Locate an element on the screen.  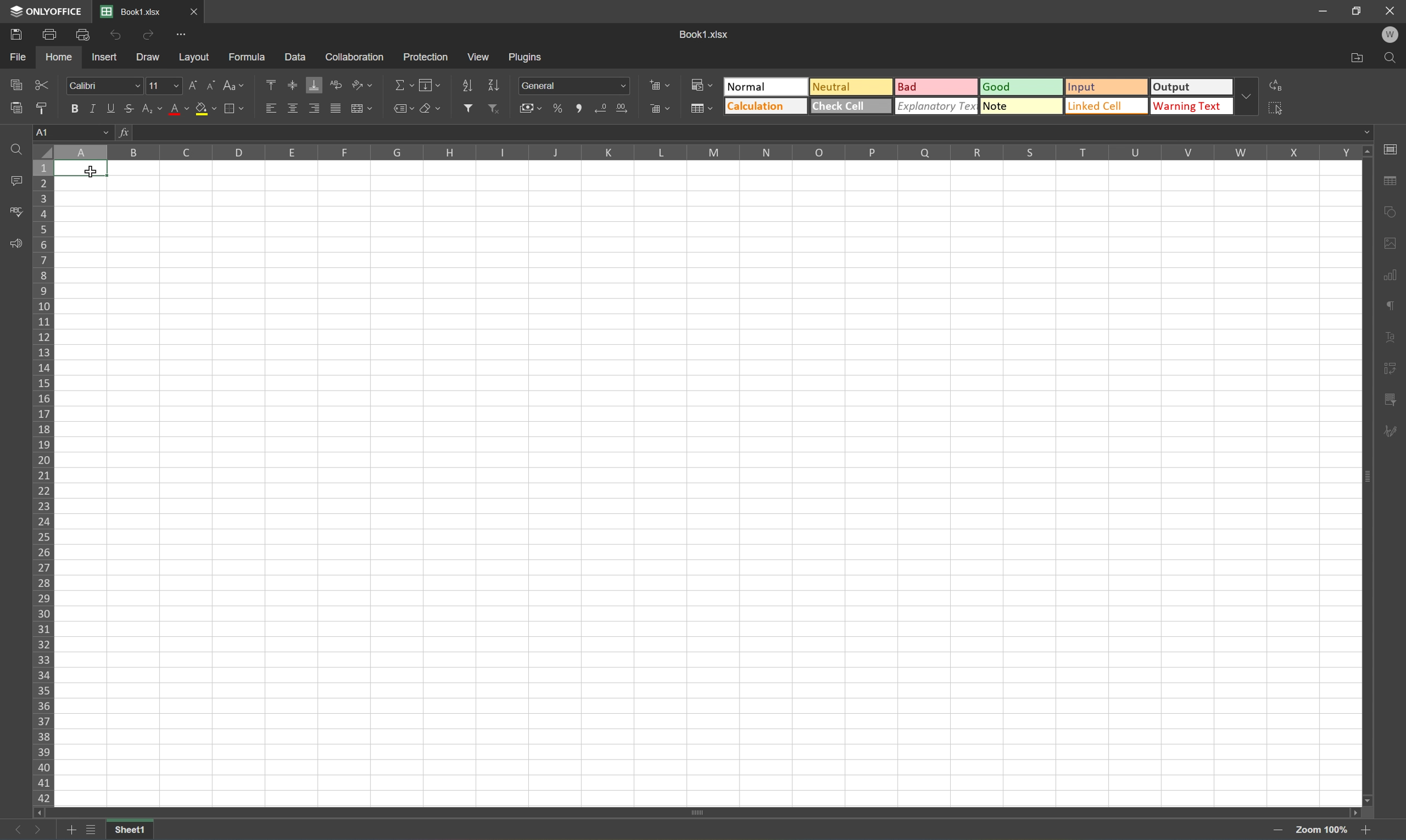
Cut is located at coordinates (42, 84).